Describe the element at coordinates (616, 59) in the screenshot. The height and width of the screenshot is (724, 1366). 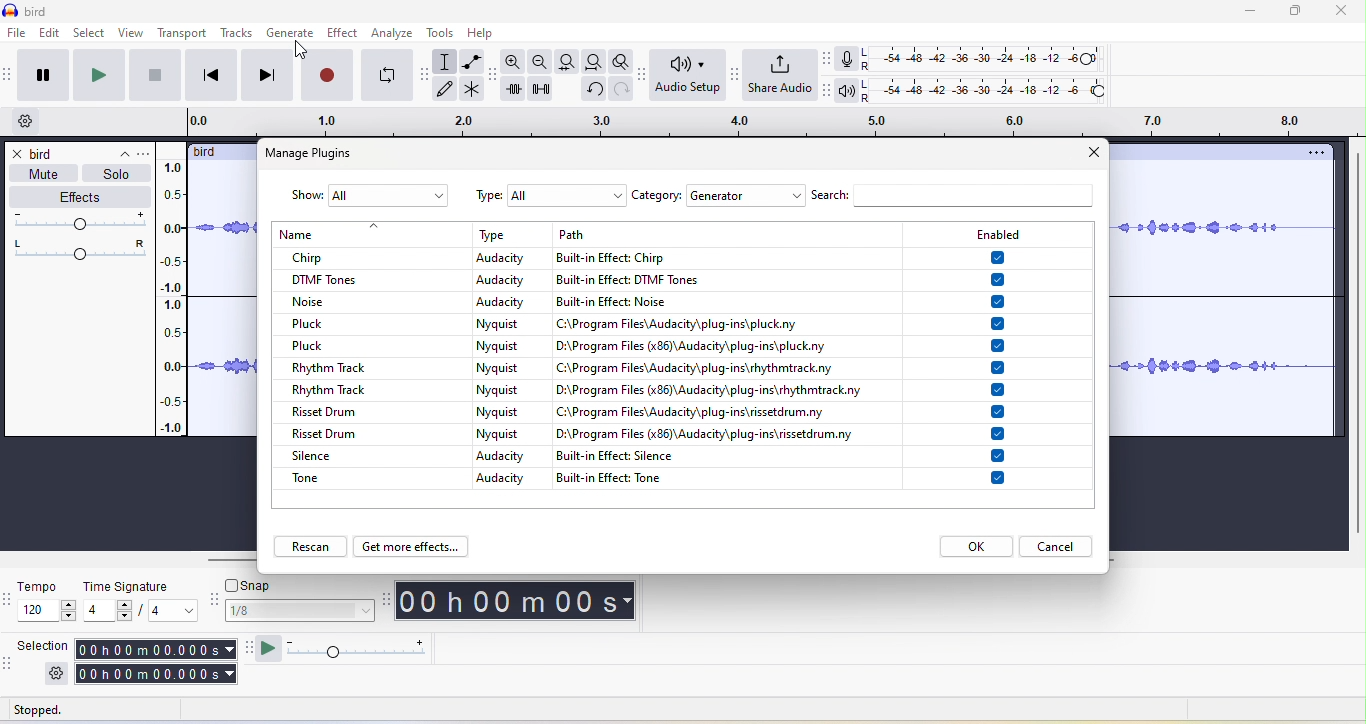
I see `zoom toggle ` at that location.